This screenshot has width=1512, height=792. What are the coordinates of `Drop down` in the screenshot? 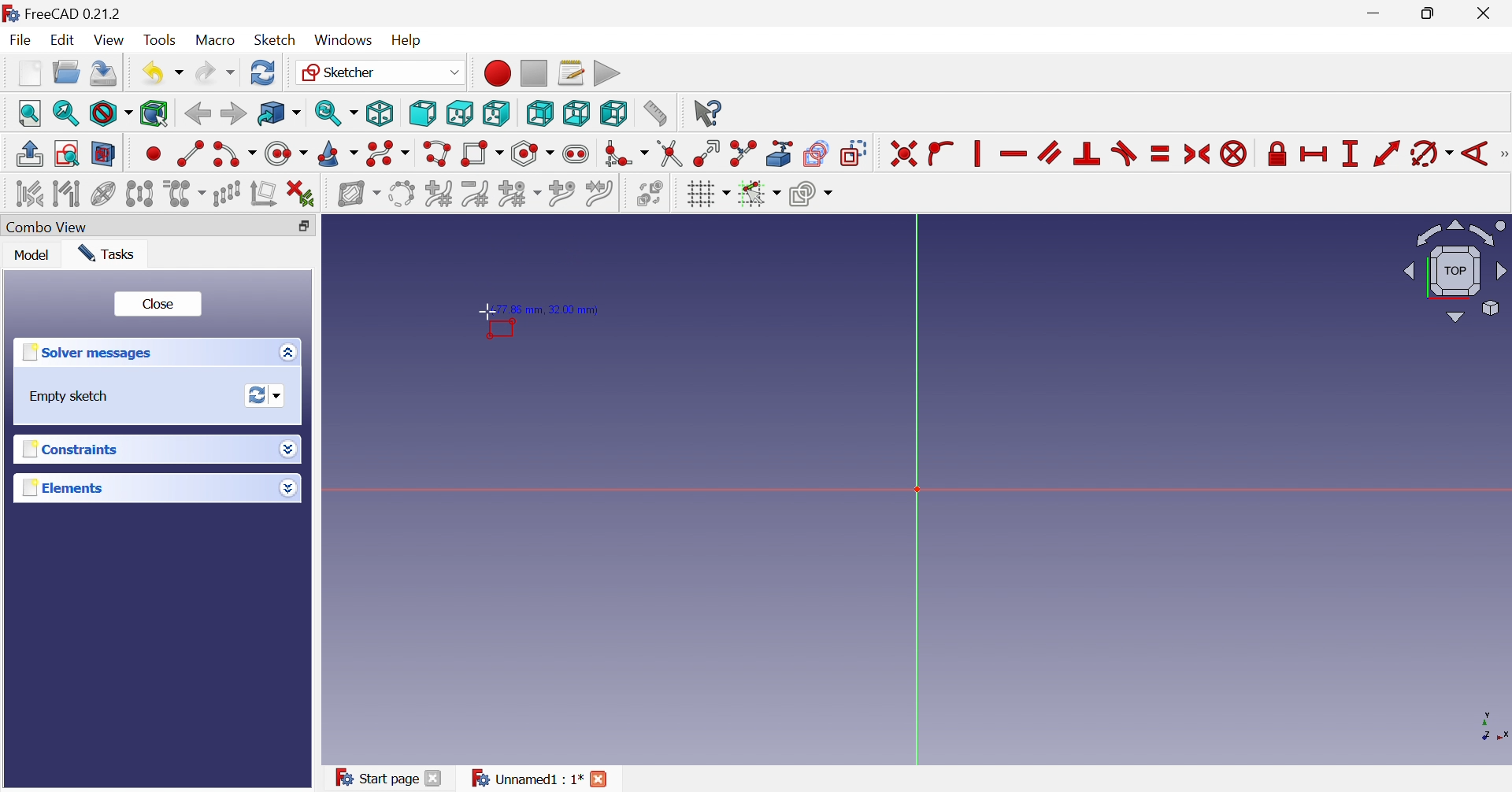 It's located at (287, 489).